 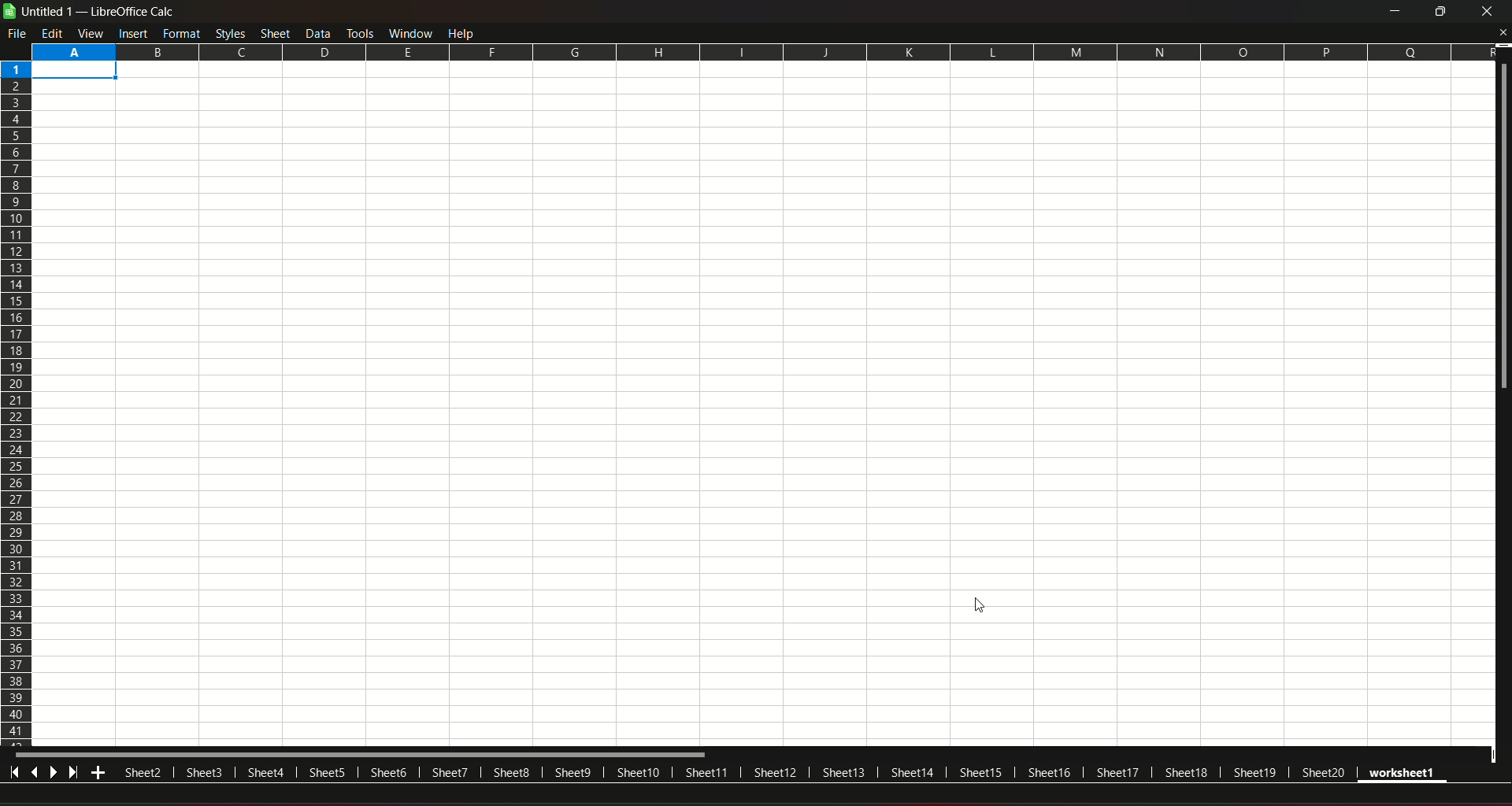 What do you see at coordinates (761, 50) in the screenshot?
I see `columns` at bounding box center [761, 50].